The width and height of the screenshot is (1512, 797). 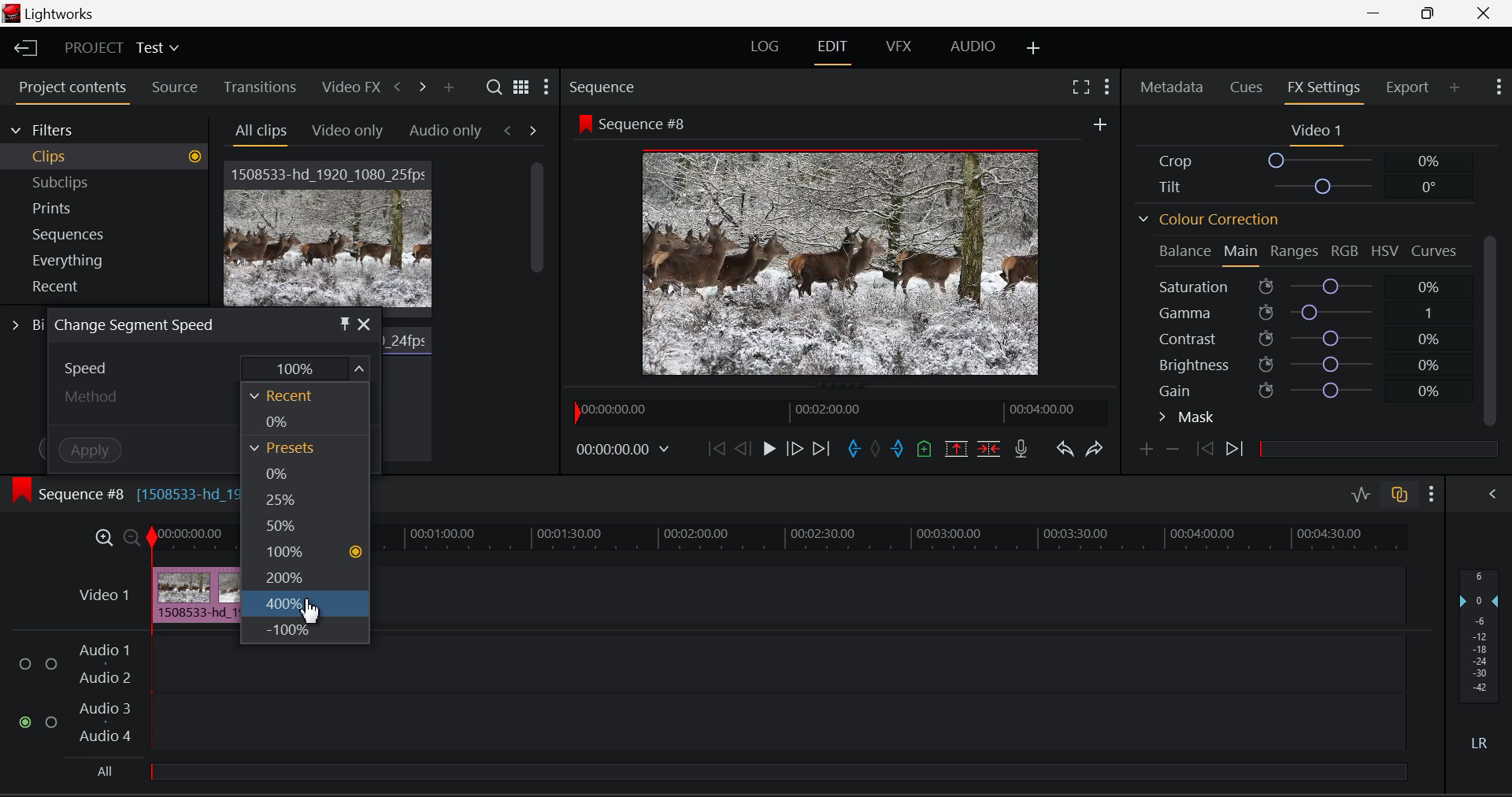 I want to click on VFX, so click(x=898, y=46).